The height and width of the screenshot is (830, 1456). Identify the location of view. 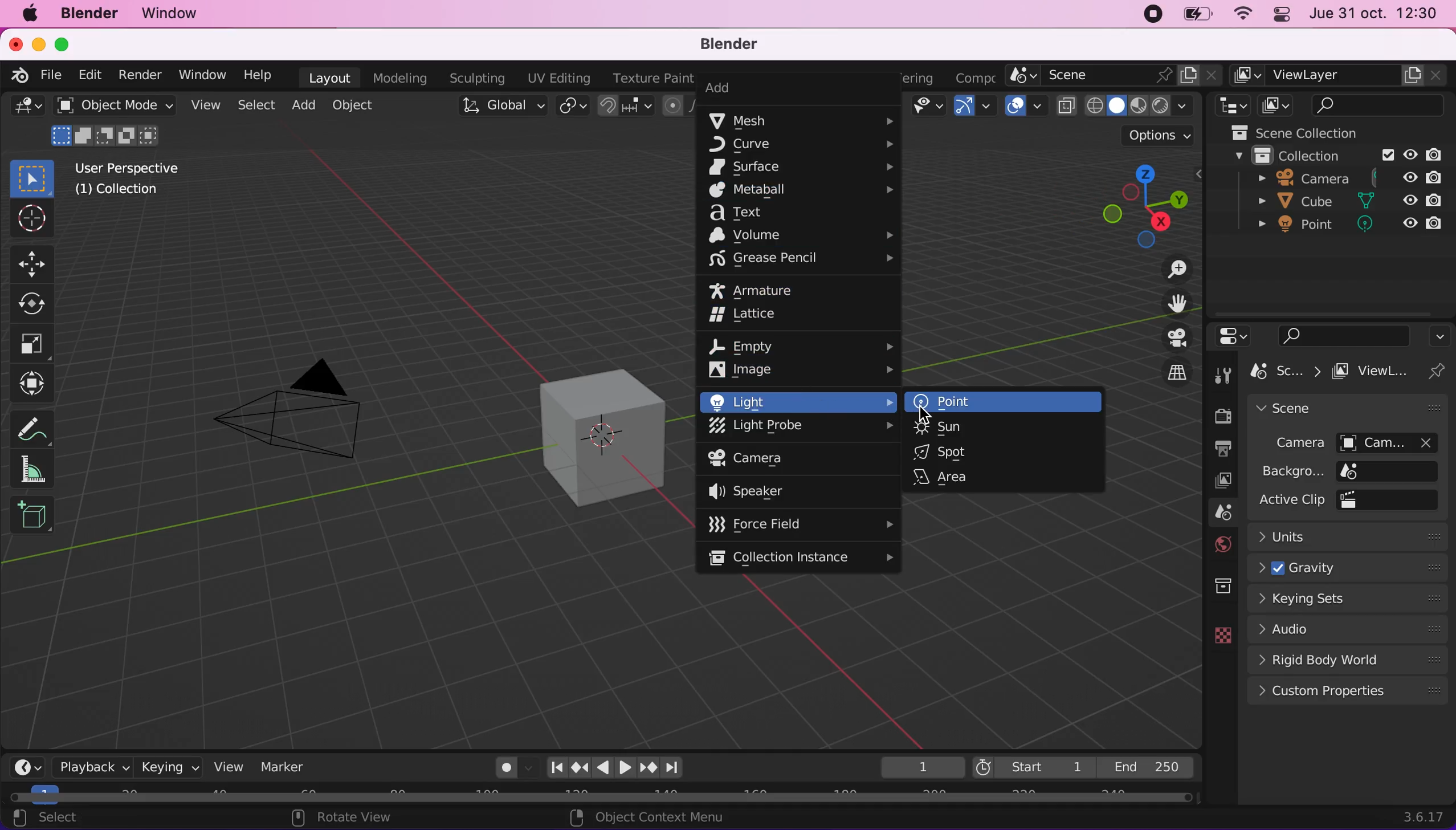
(227, 767).